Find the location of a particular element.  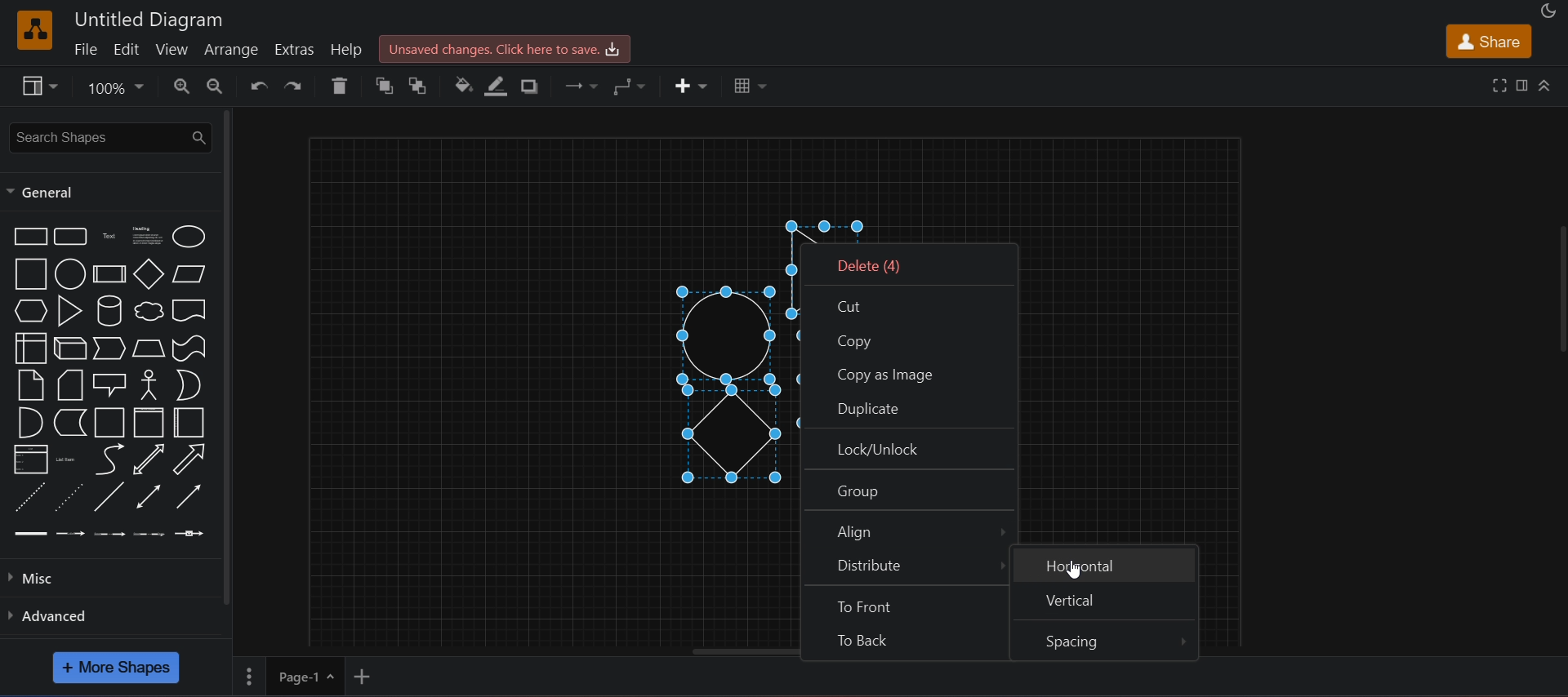

tape is located at coordinates (189, 348).